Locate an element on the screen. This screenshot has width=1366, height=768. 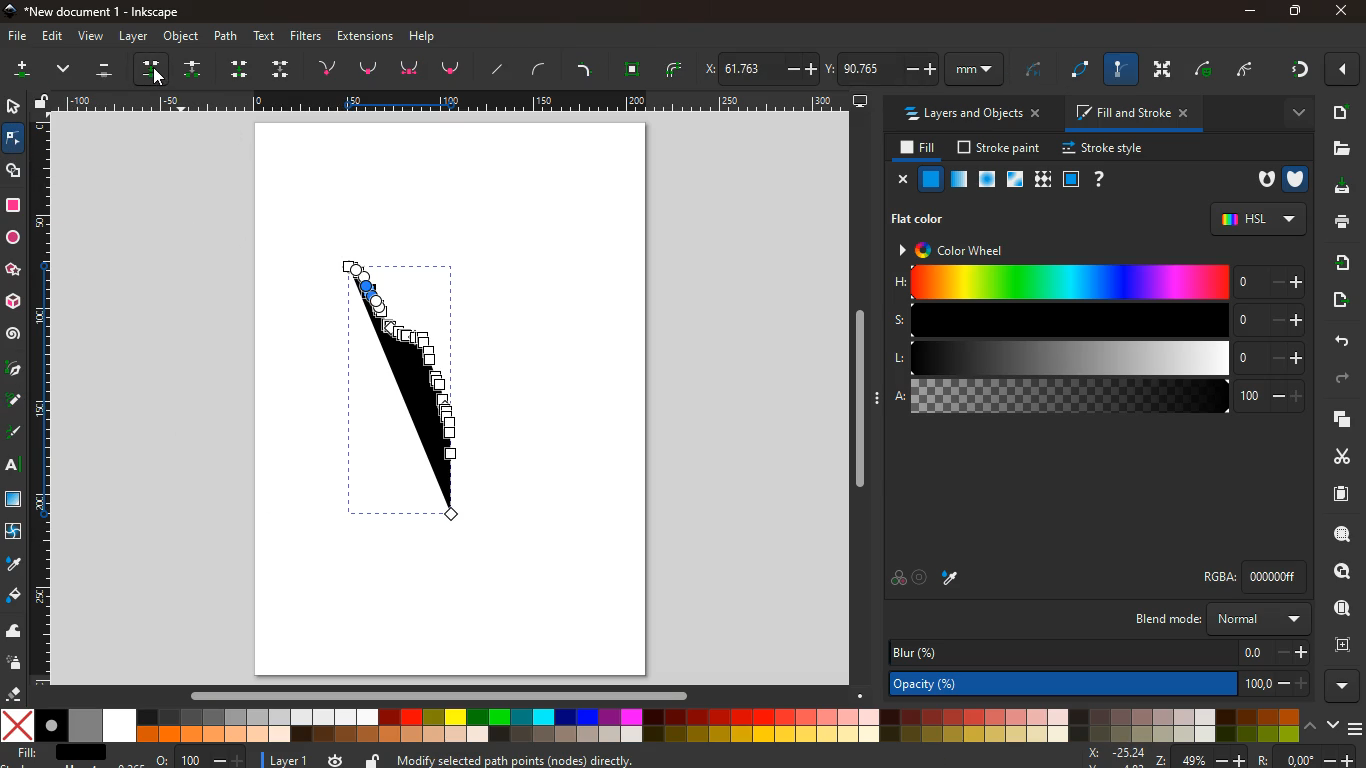
Color  is located at coordinates (13, 205).